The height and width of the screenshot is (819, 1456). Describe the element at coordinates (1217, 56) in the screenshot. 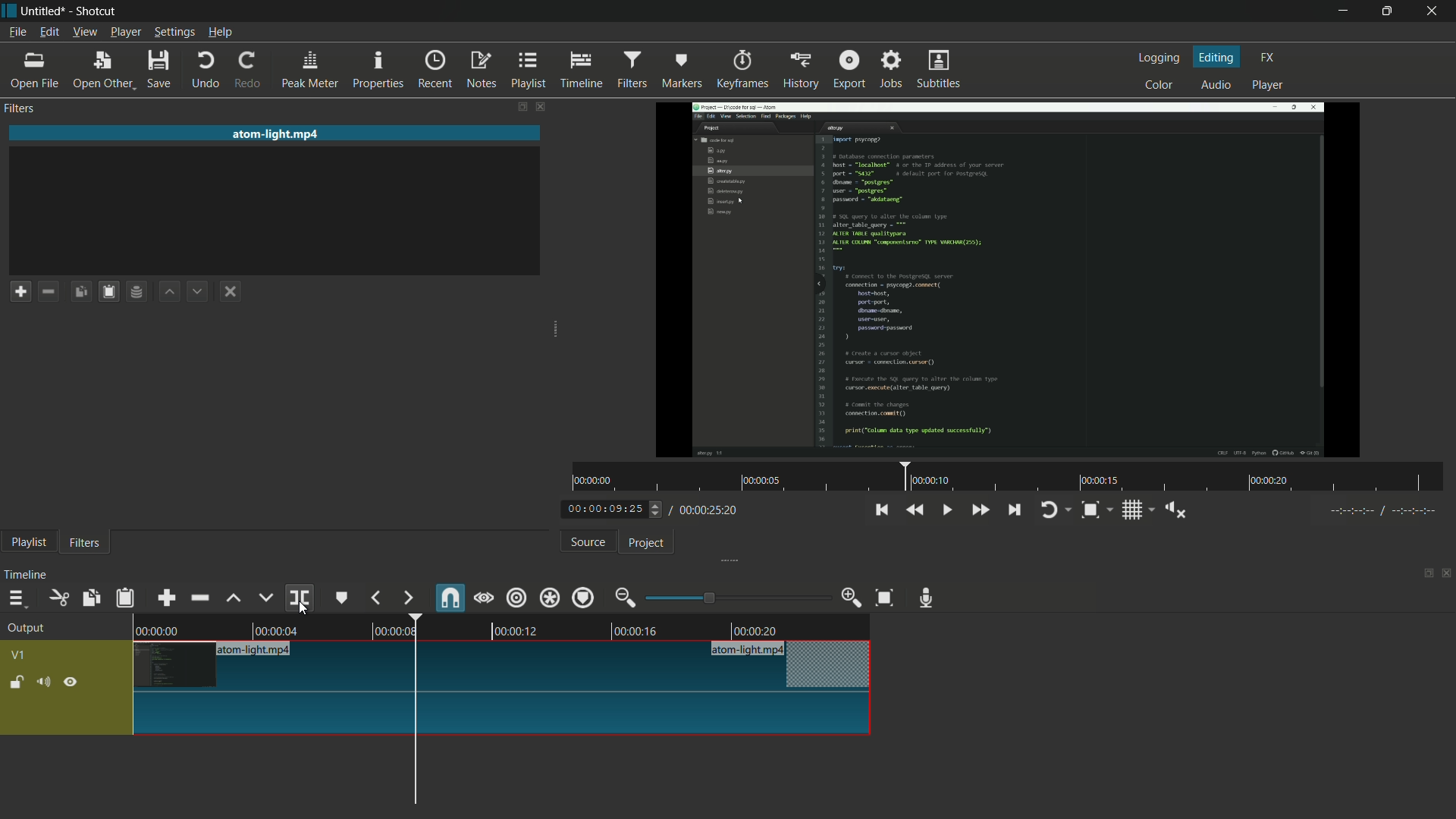

I see `editing` at that location.